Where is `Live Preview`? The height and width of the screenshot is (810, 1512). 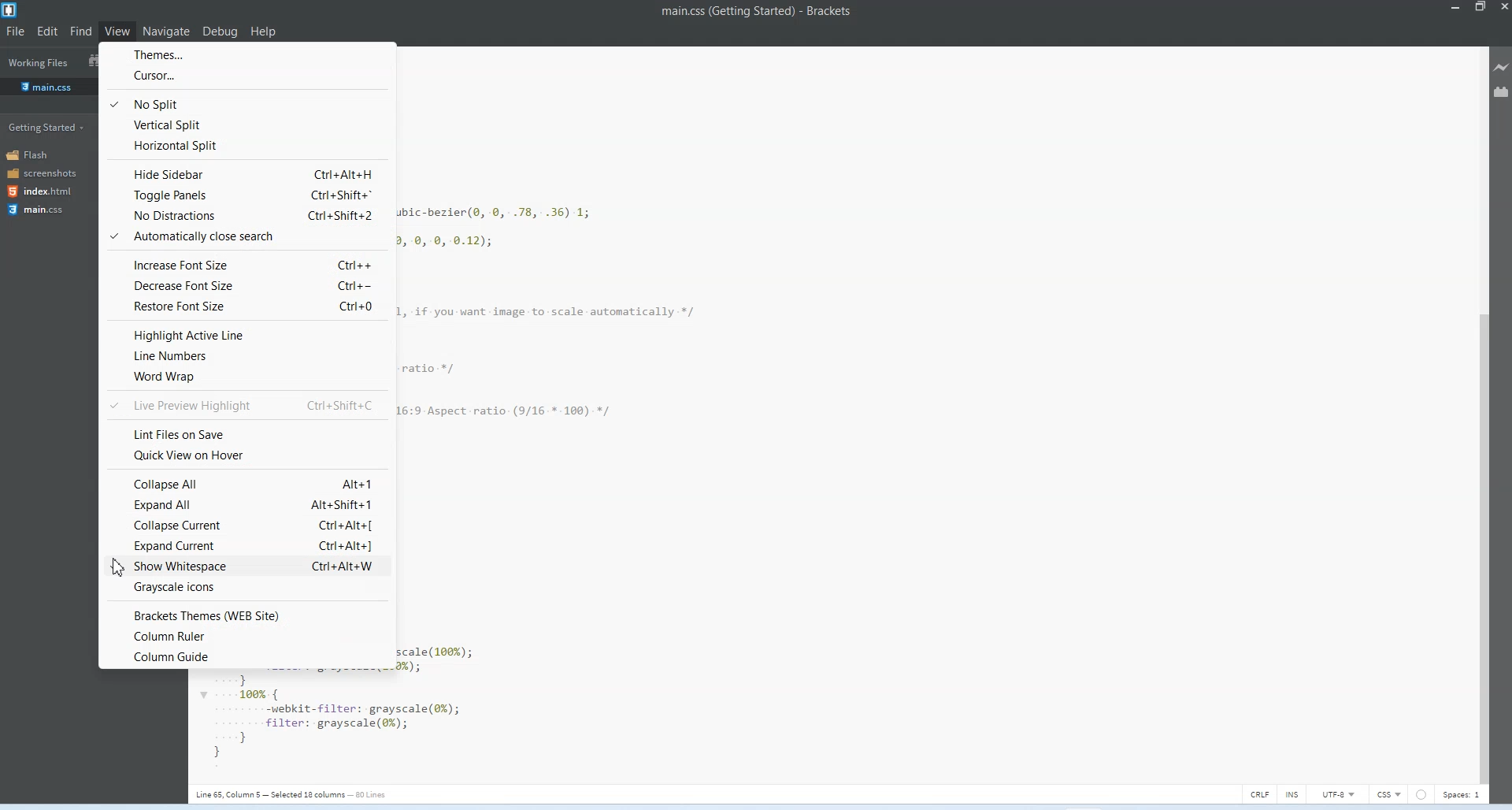 Live Preview is located at coordinates (1503, 65).